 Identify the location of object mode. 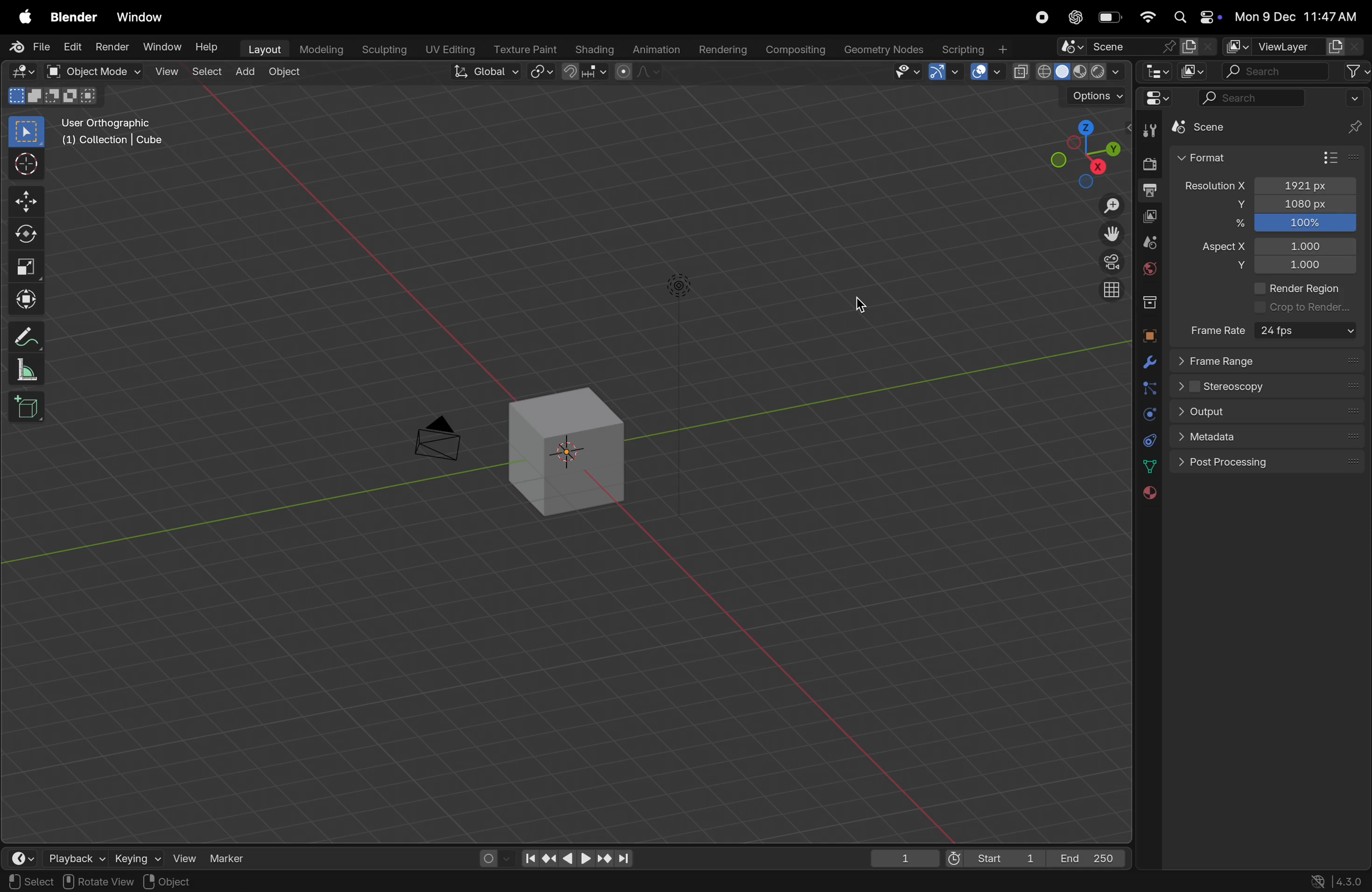
(93, 72).